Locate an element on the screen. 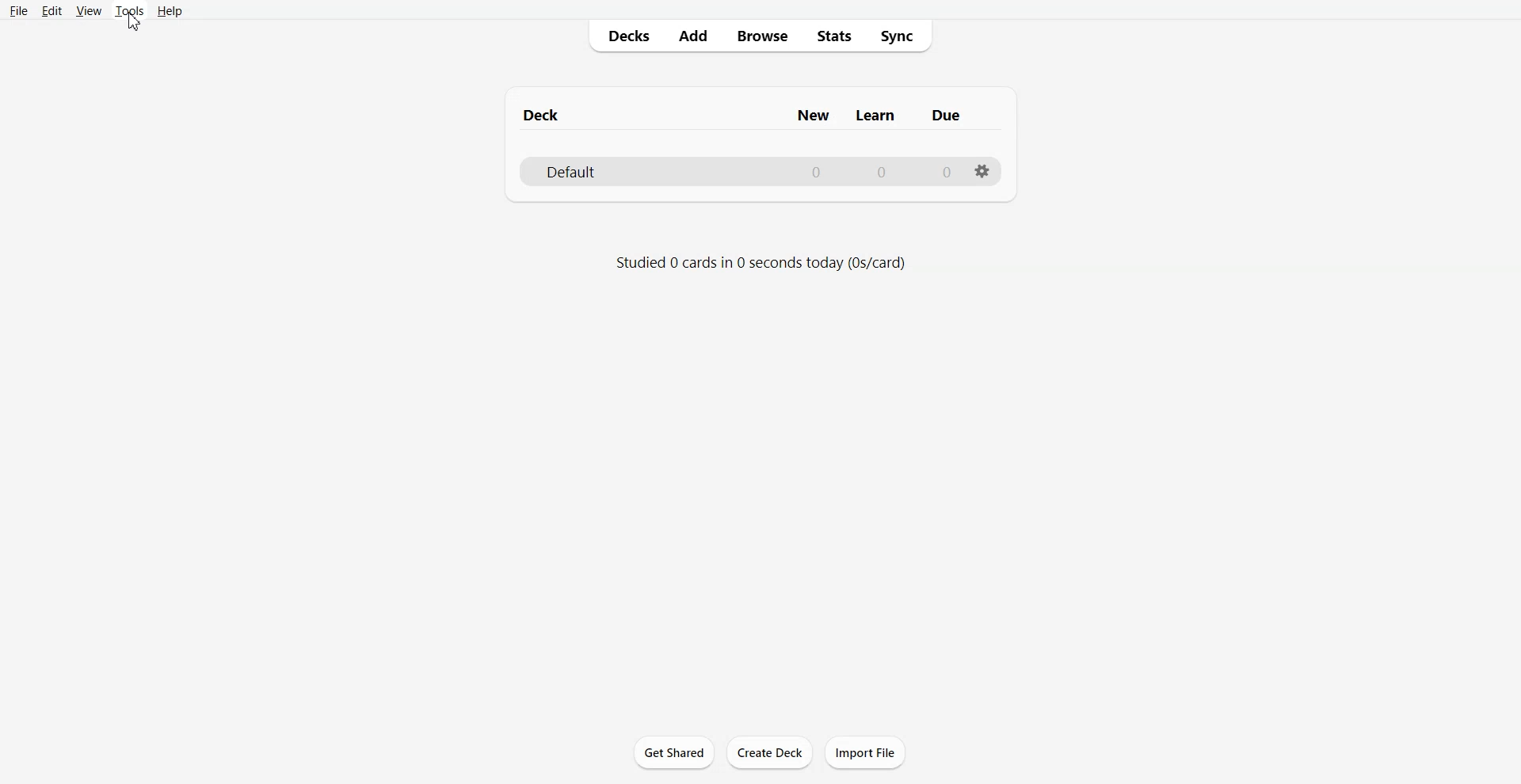 The height and width of the screenshot is (784, 1521). Get Shared is located at coordinates (673, 752).